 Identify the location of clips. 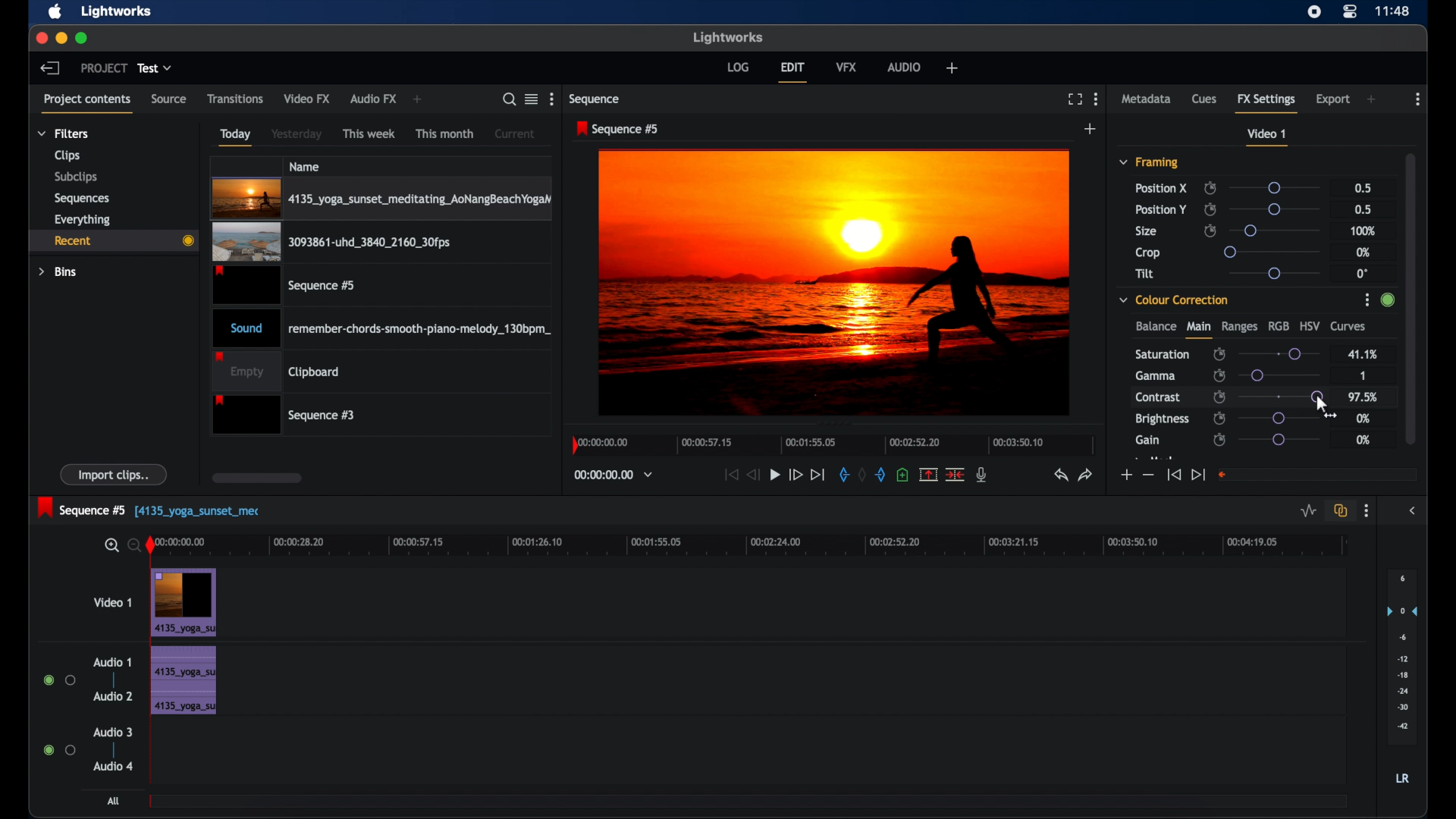
(65, 155).